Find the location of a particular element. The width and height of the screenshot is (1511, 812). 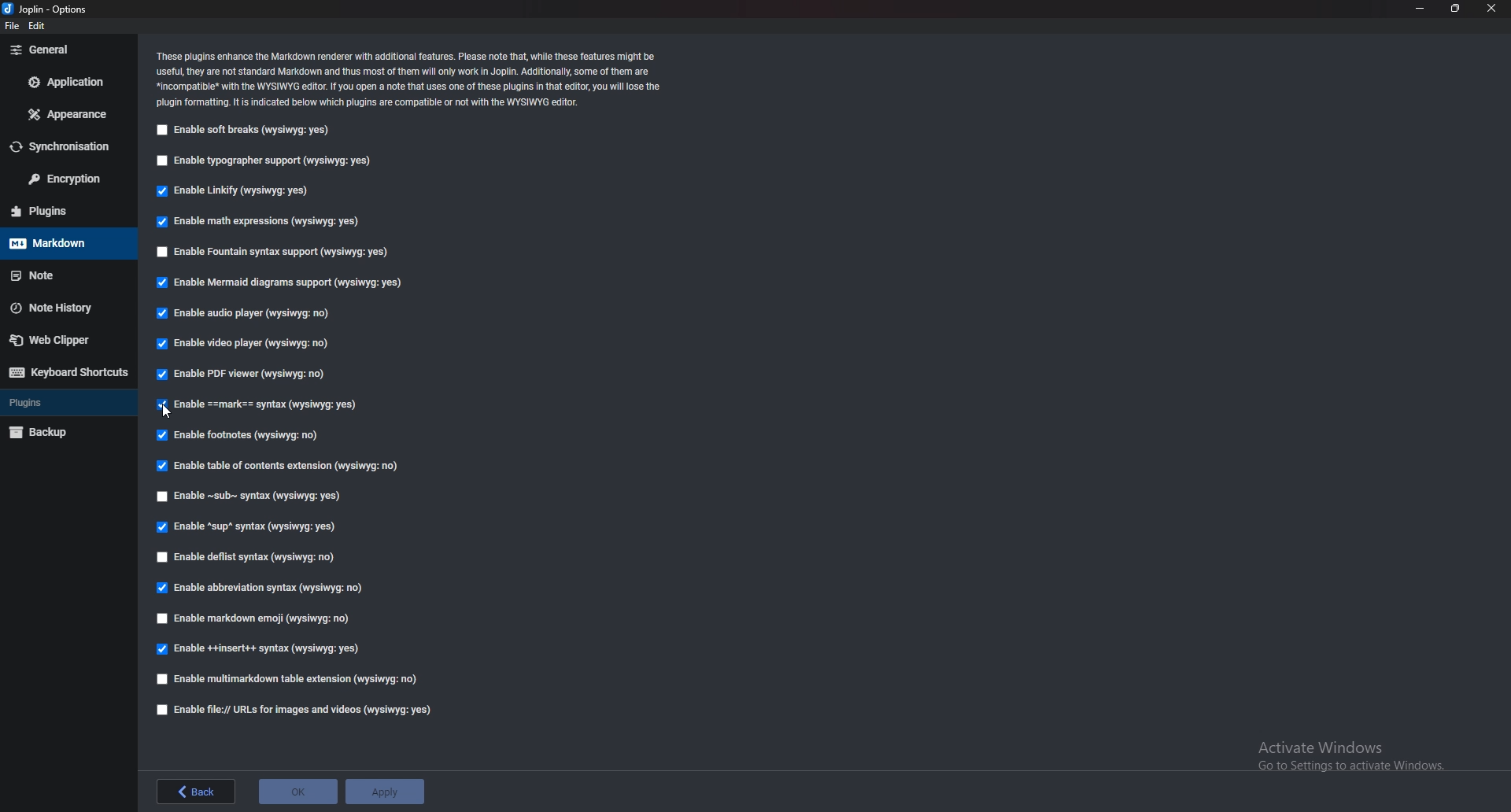

Resize is located at coordinates (1457, 8).